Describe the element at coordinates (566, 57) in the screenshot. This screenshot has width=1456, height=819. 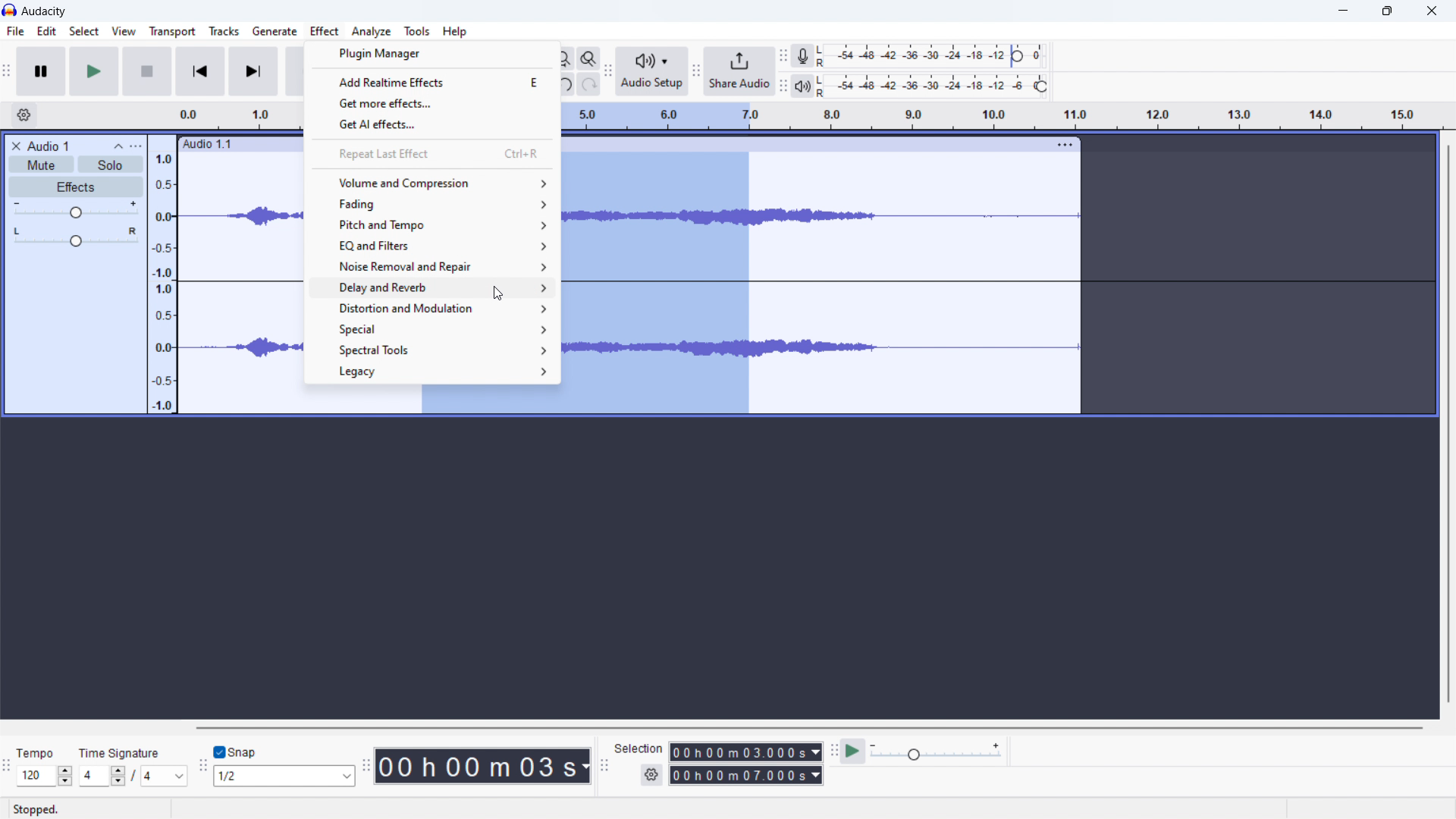
I see `fill selection to width` at that location.